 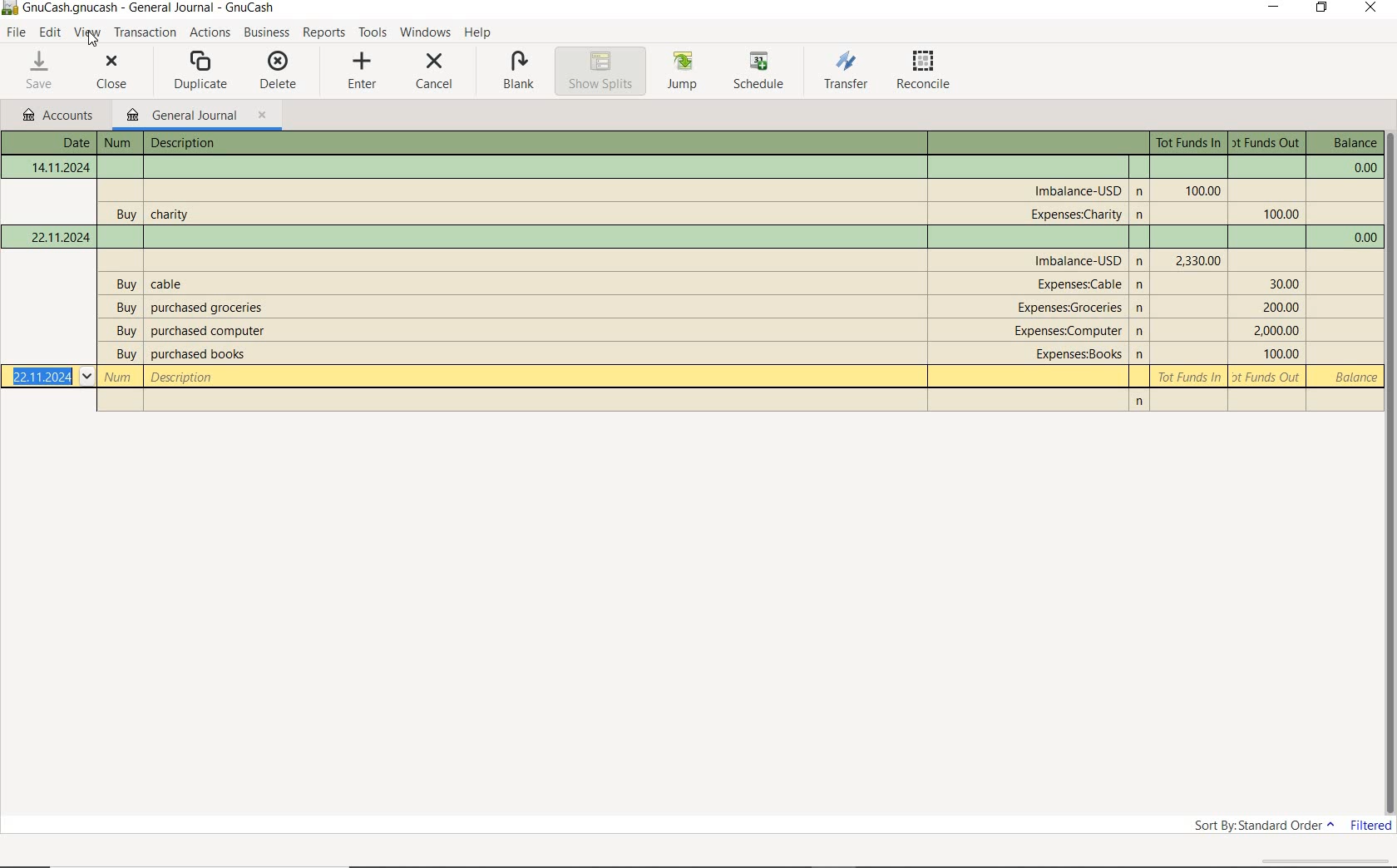 I want to click on account, so click(x=1078, y=189).